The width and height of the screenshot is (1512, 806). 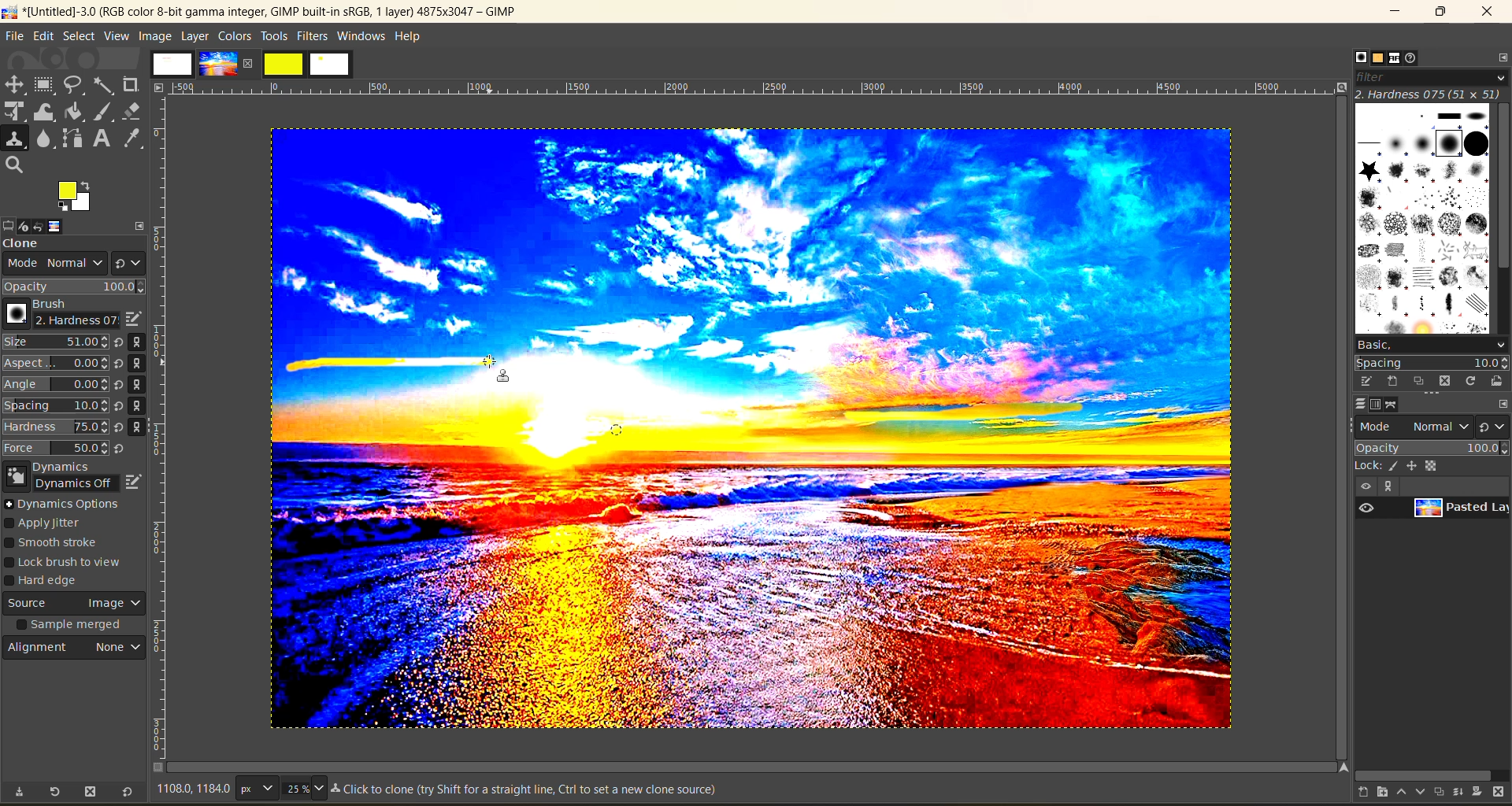 What do you see at coordinates (140, 224) in the screenshot?
I see `expand` at bounding box center [140, 224].